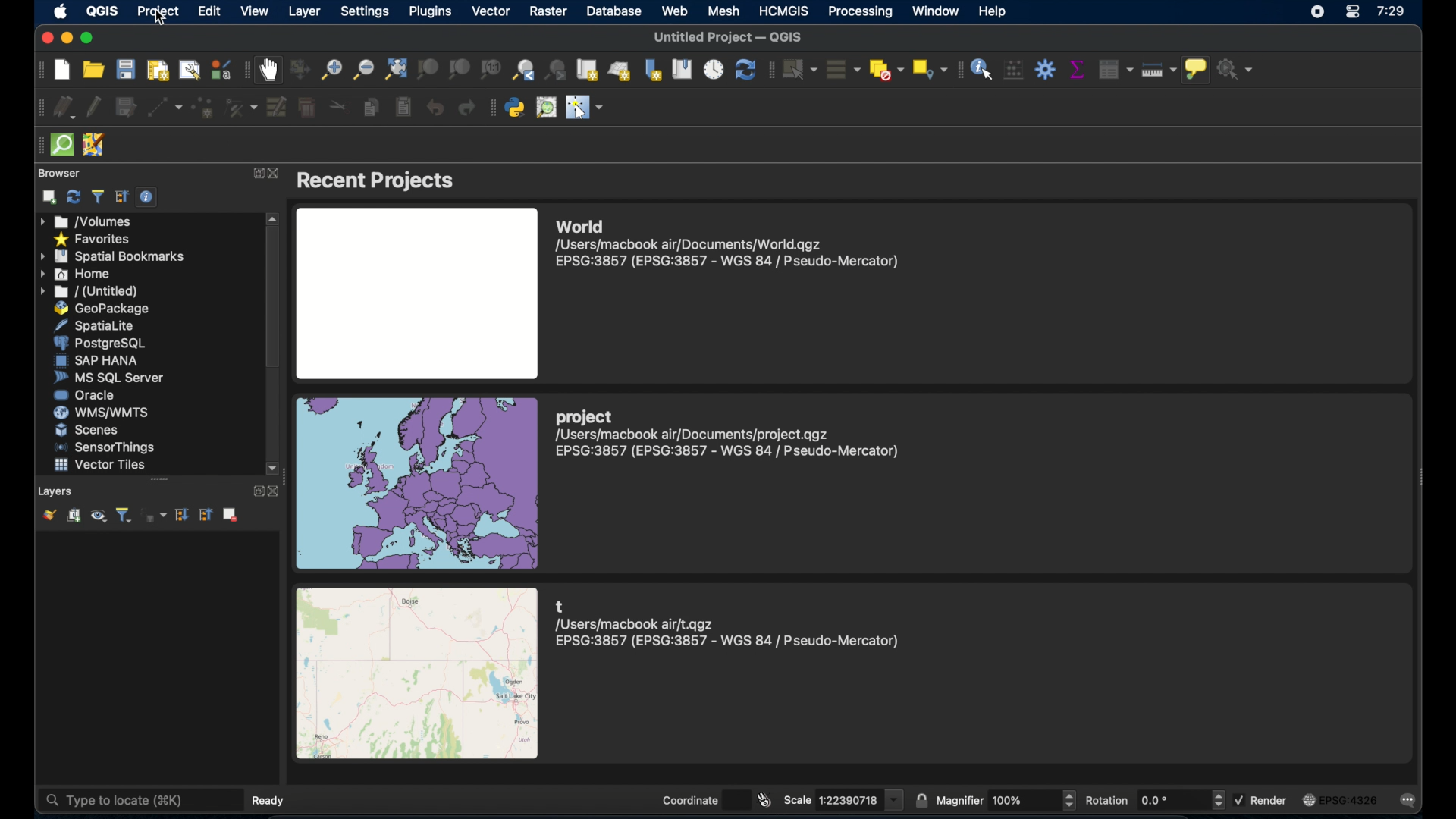  I want to click on window, so click(937, 11).